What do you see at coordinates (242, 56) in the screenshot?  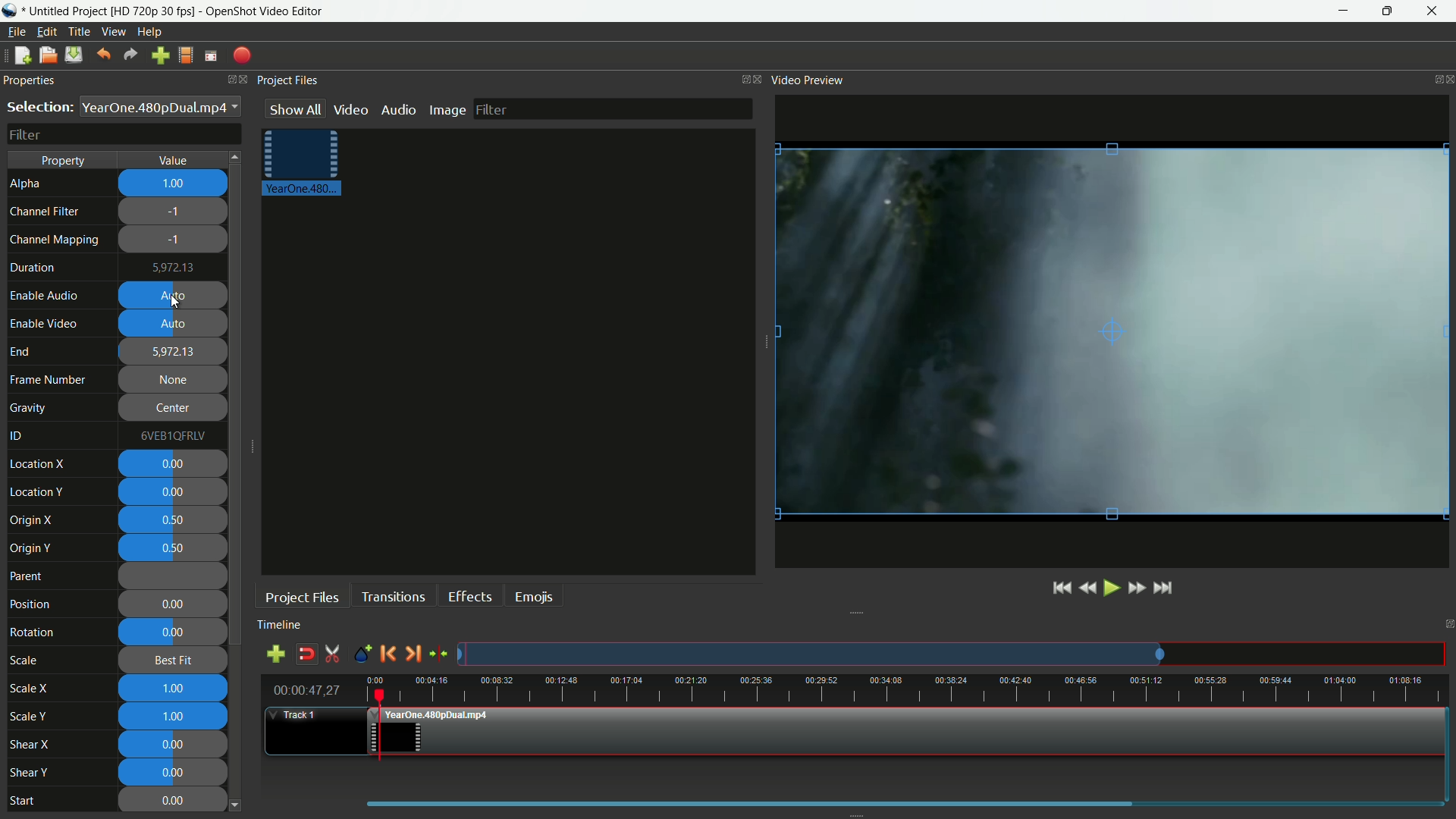 I see `export` at bounding box center [242, 56].